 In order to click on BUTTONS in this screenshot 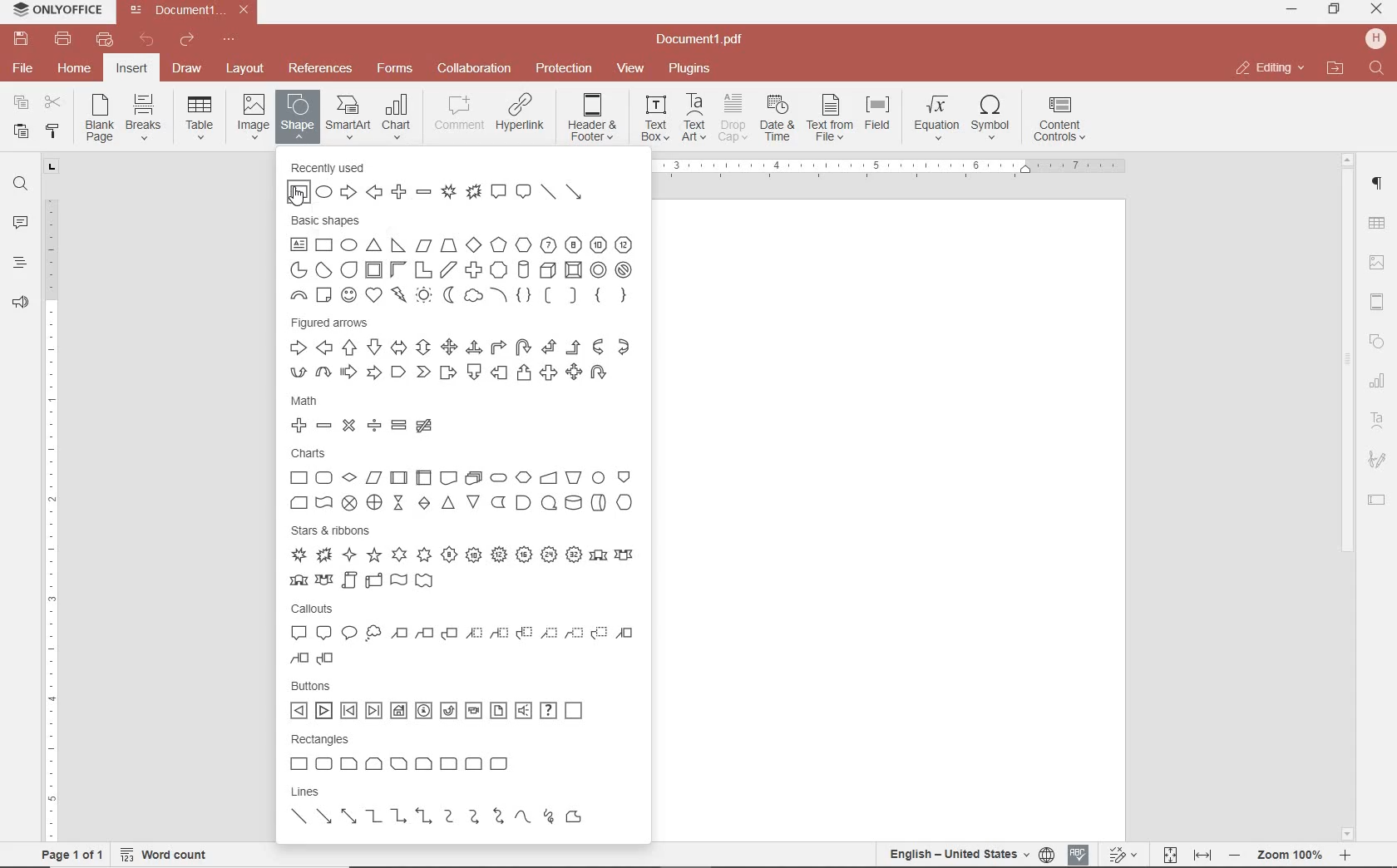, I will do `click(451, 702)`.